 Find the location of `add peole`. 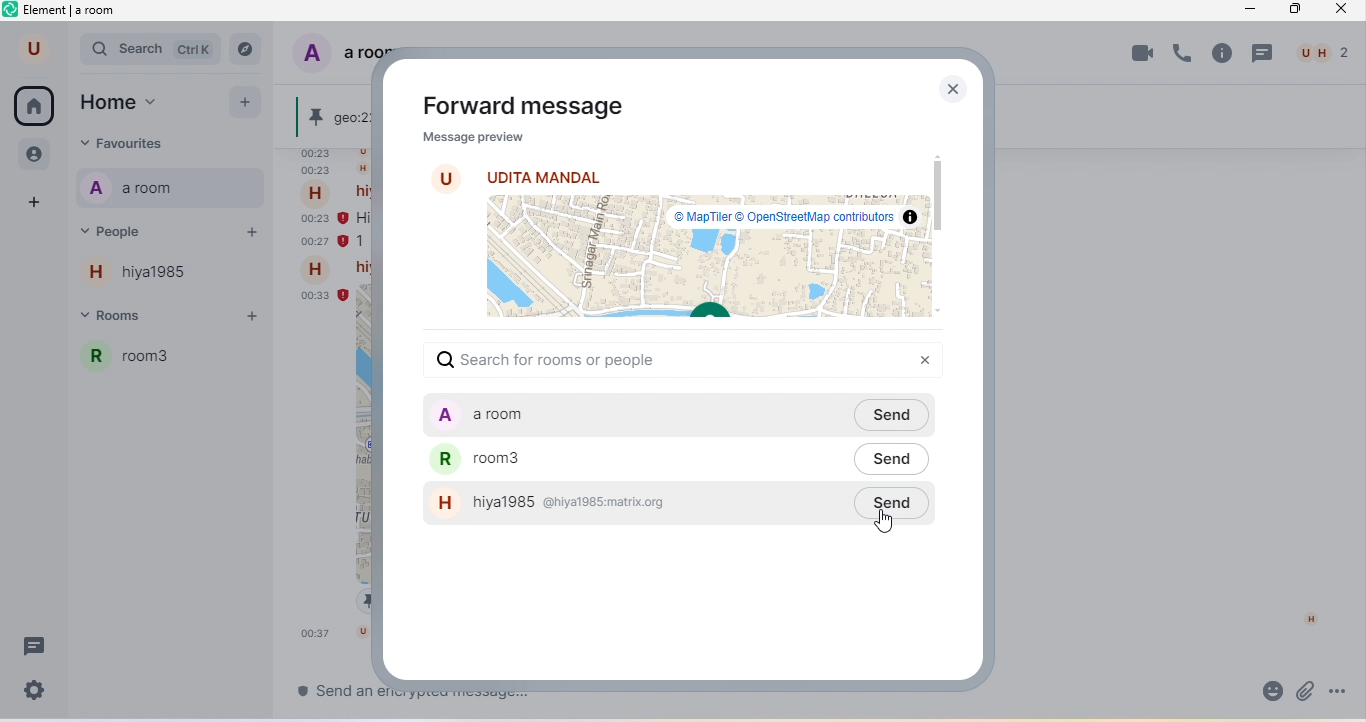

add peole is located at coordinates (250, 236).